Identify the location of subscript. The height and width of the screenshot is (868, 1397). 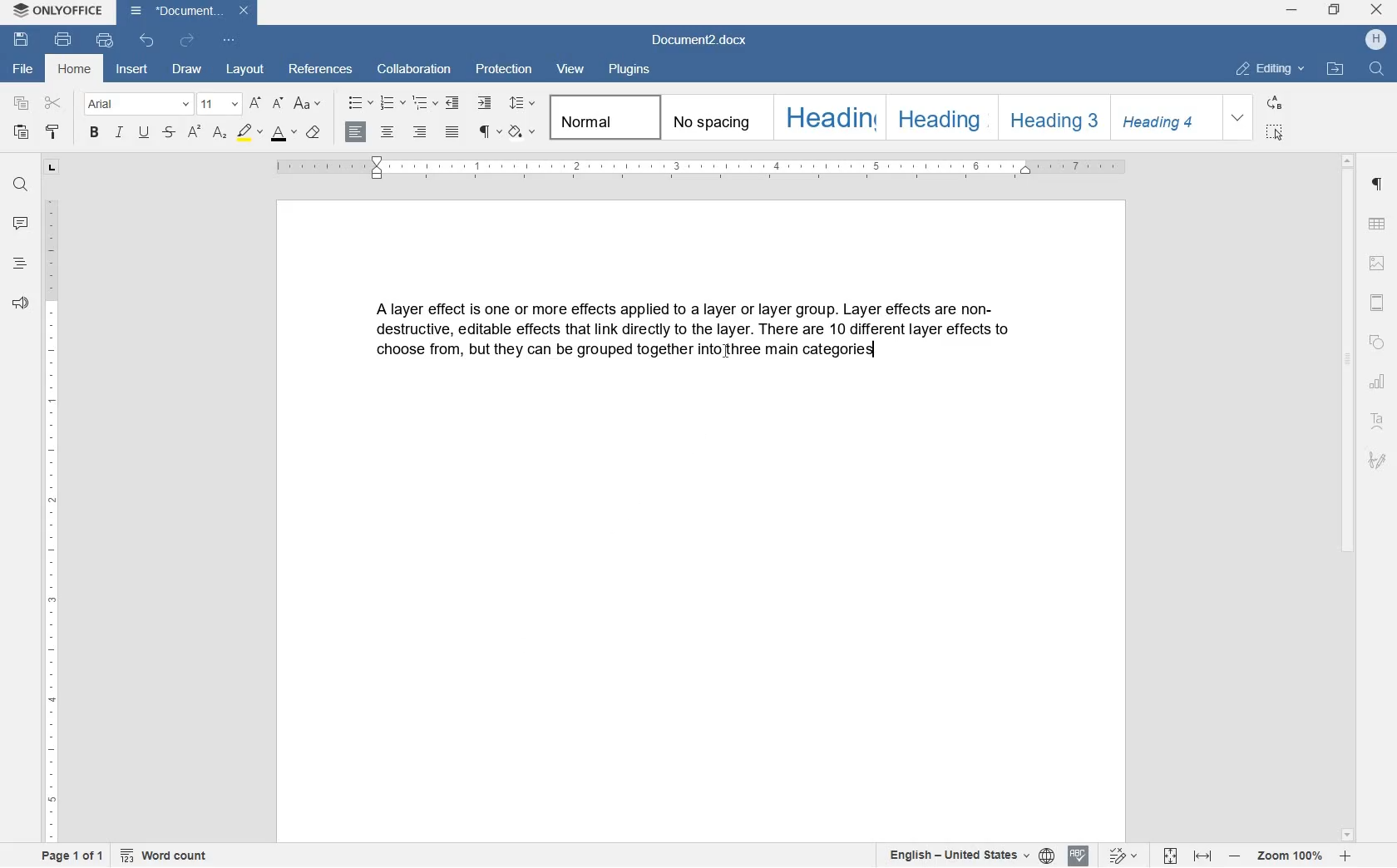
(221, 133).